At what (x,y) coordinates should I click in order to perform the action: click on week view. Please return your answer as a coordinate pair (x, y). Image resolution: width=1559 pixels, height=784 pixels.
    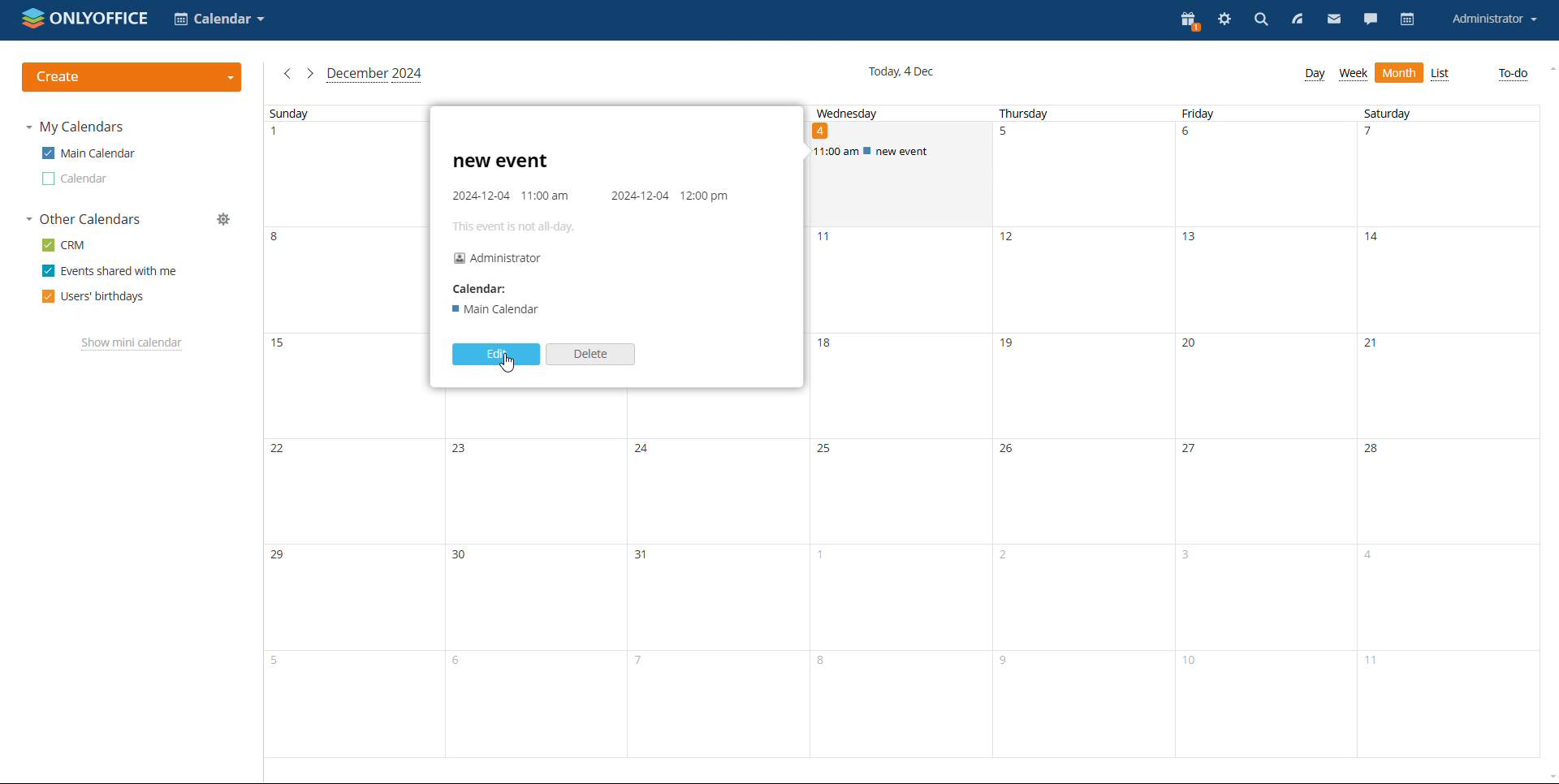
    Looking at the image, I should click on (1353, 75).